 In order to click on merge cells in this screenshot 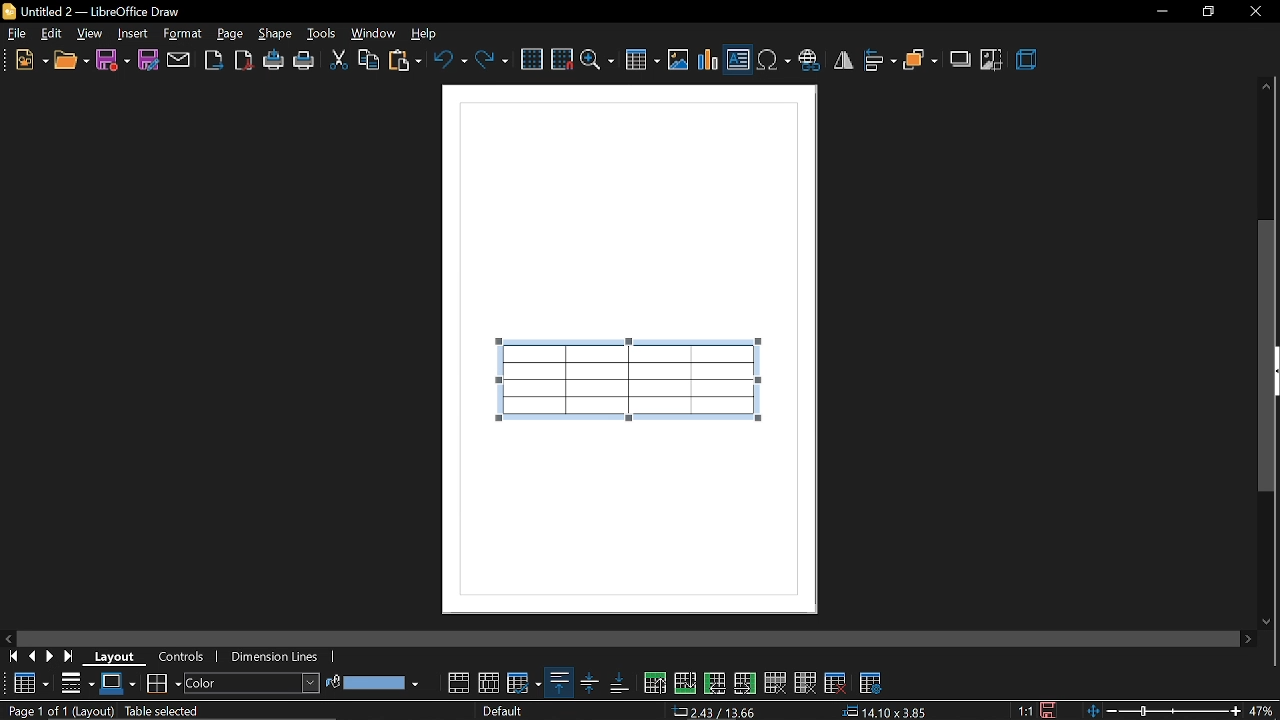, I will do `click(458, 683)`.